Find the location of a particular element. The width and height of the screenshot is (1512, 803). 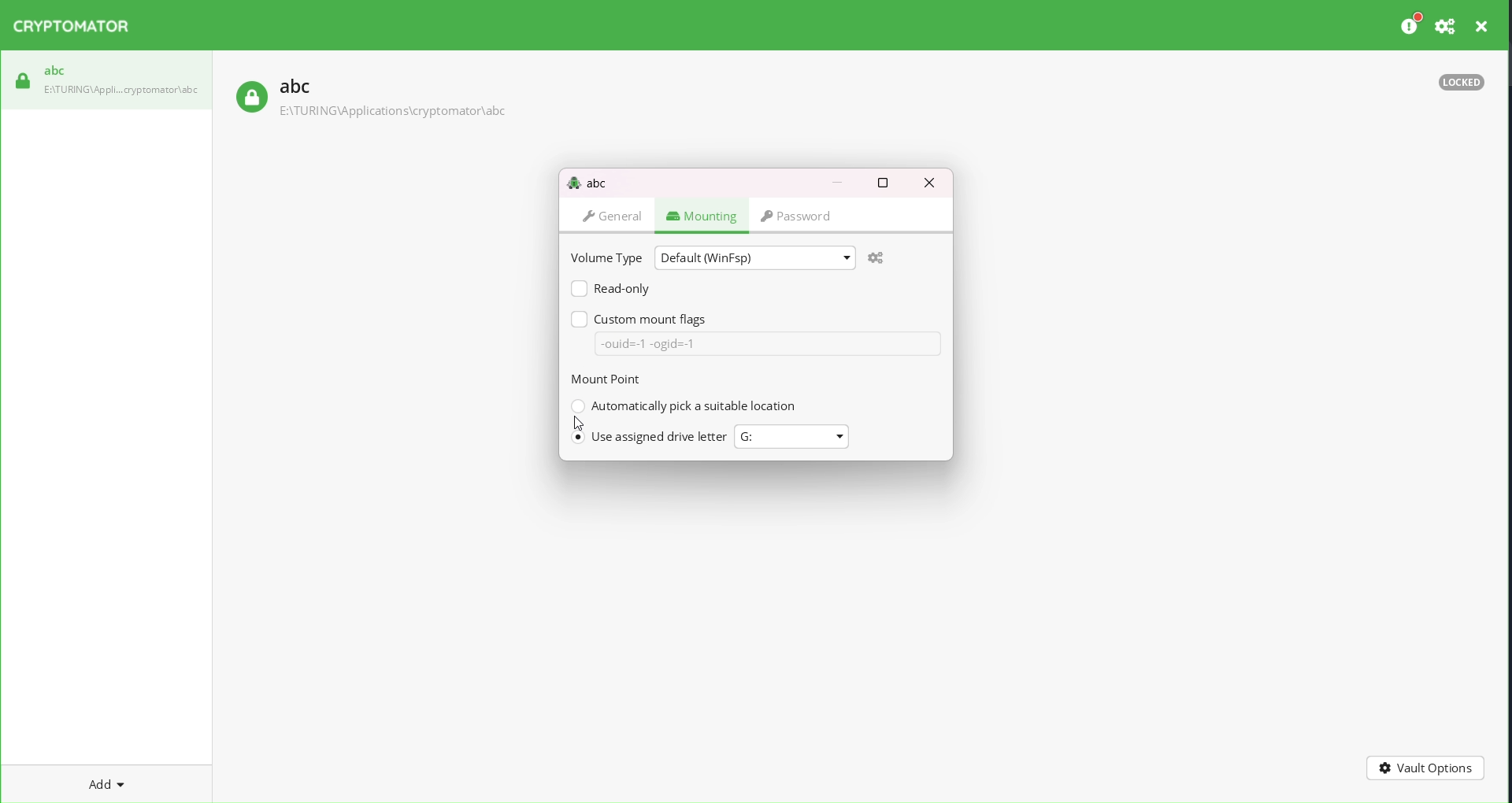

add is located at coordinates (97, 782).